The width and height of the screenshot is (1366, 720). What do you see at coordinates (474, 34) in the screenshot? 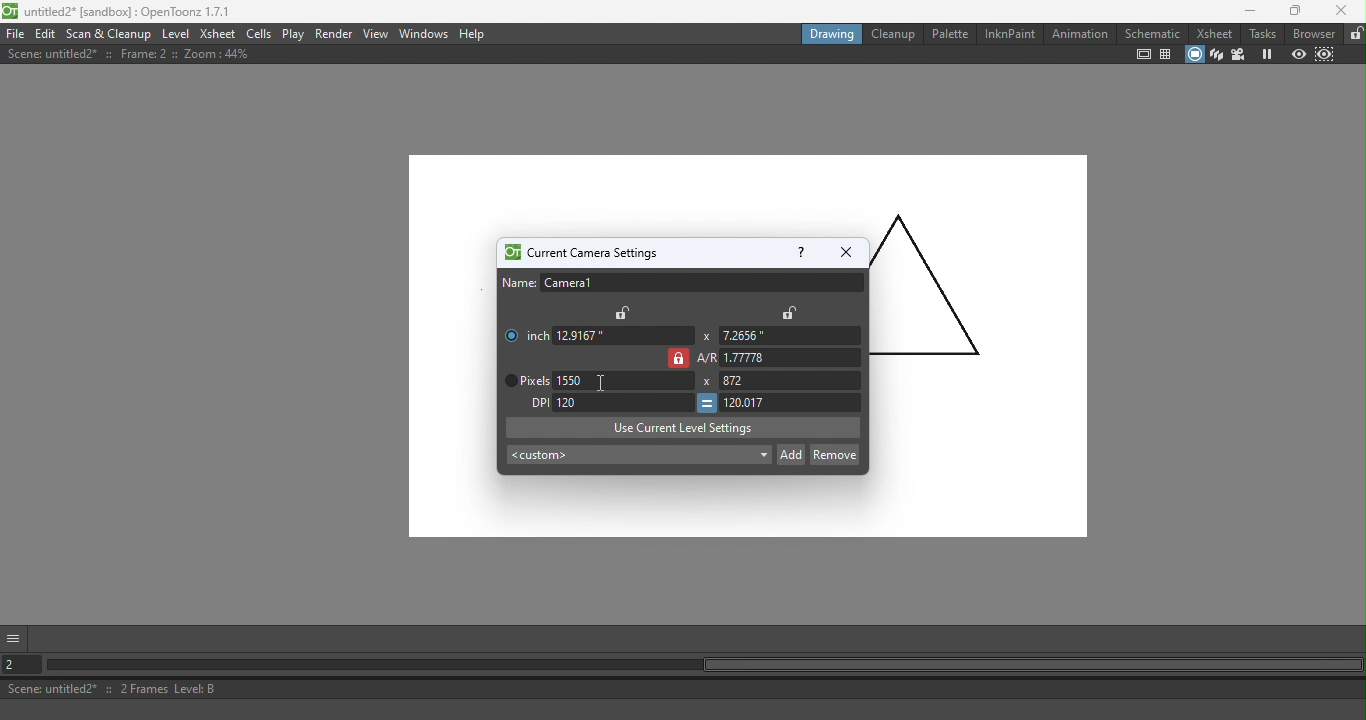
I see `Help` at bounding box center [474, 34].